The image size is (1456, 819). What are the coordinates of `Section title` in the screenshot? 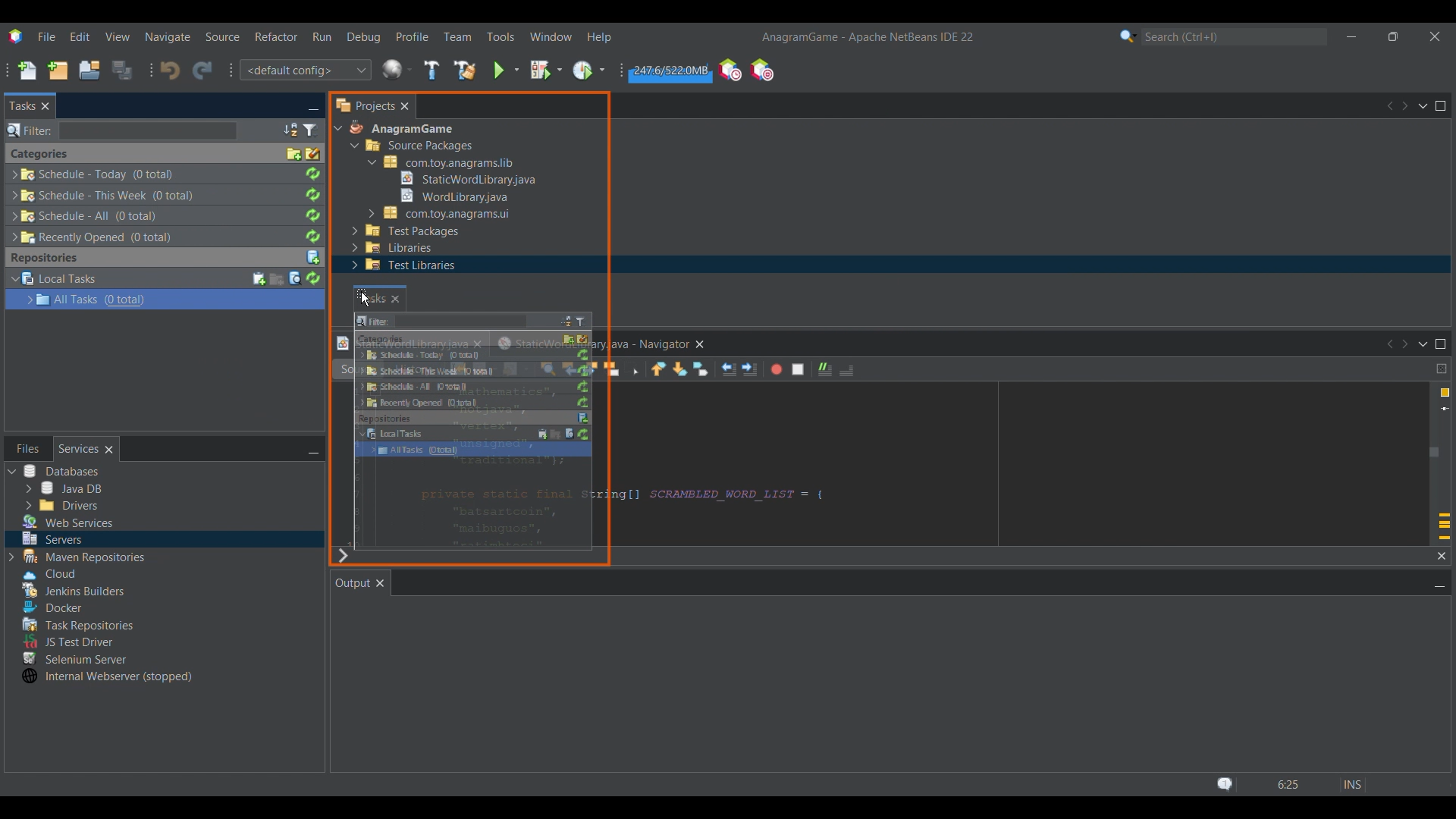 It's located at (44, 258).